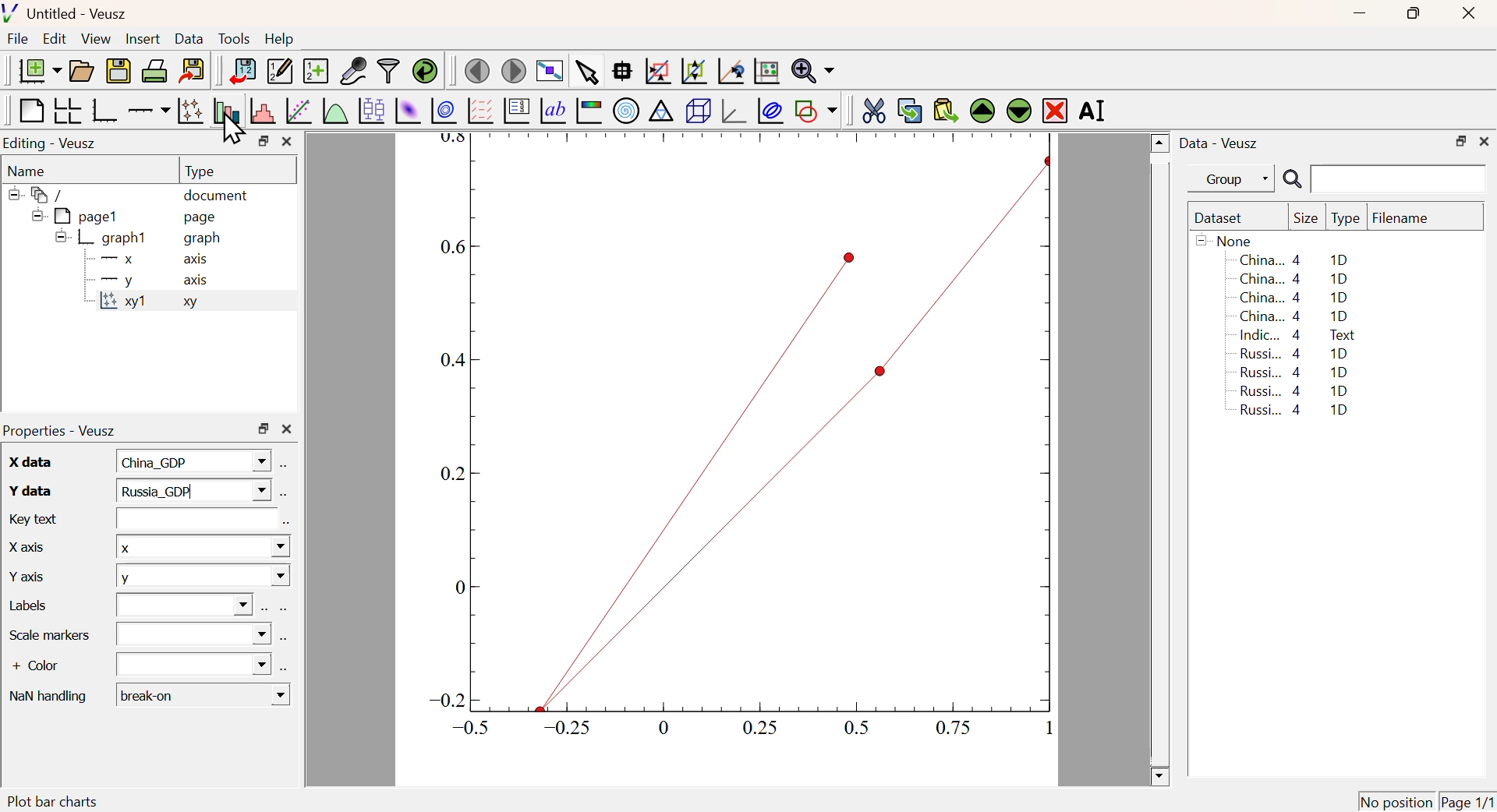  What do you see at coordinates (95, 40) in the screenshot?
I see `View` at bounding box center [95, 40].